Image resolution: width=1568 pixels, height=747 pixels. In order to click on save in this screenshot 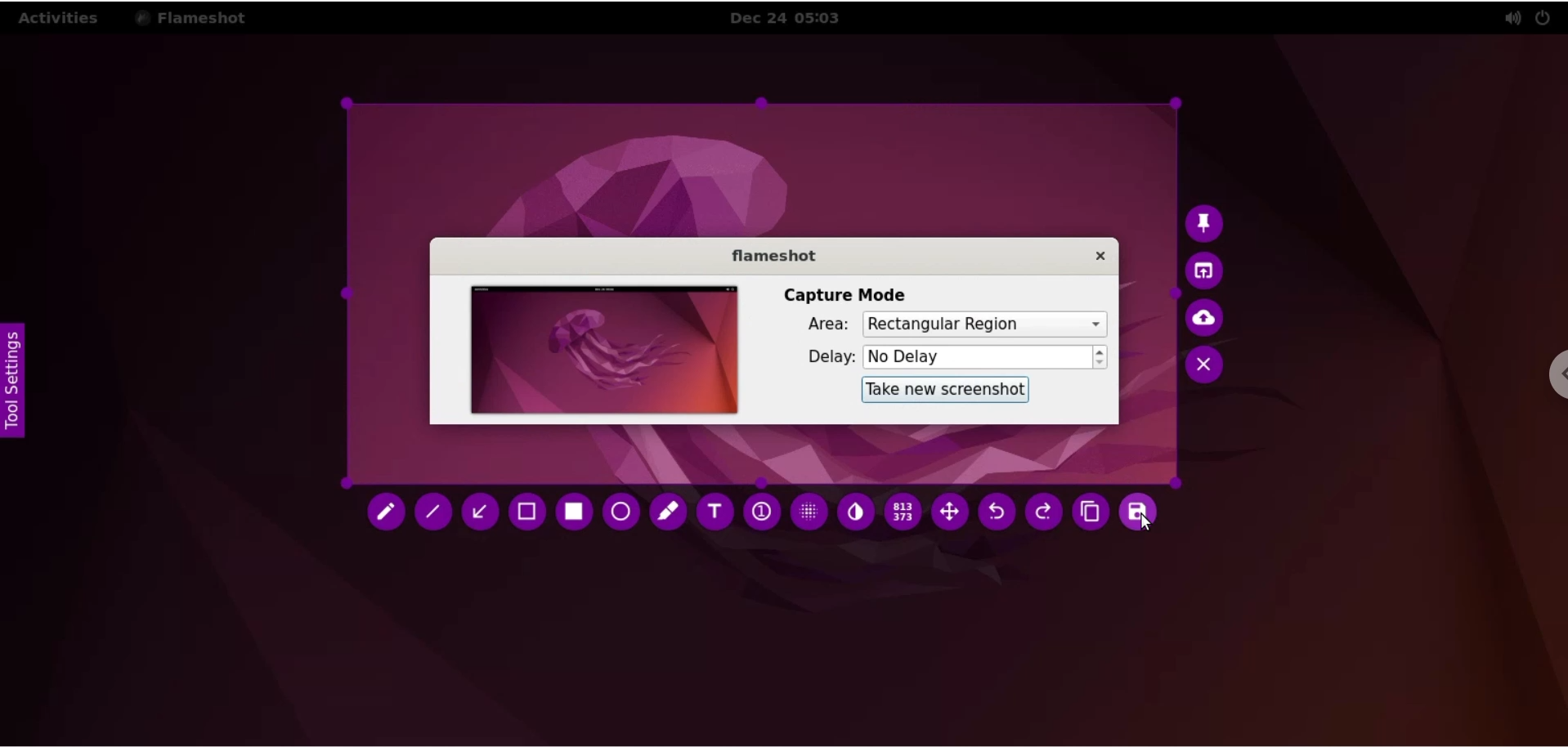, I will do `click(1140, 509)`.